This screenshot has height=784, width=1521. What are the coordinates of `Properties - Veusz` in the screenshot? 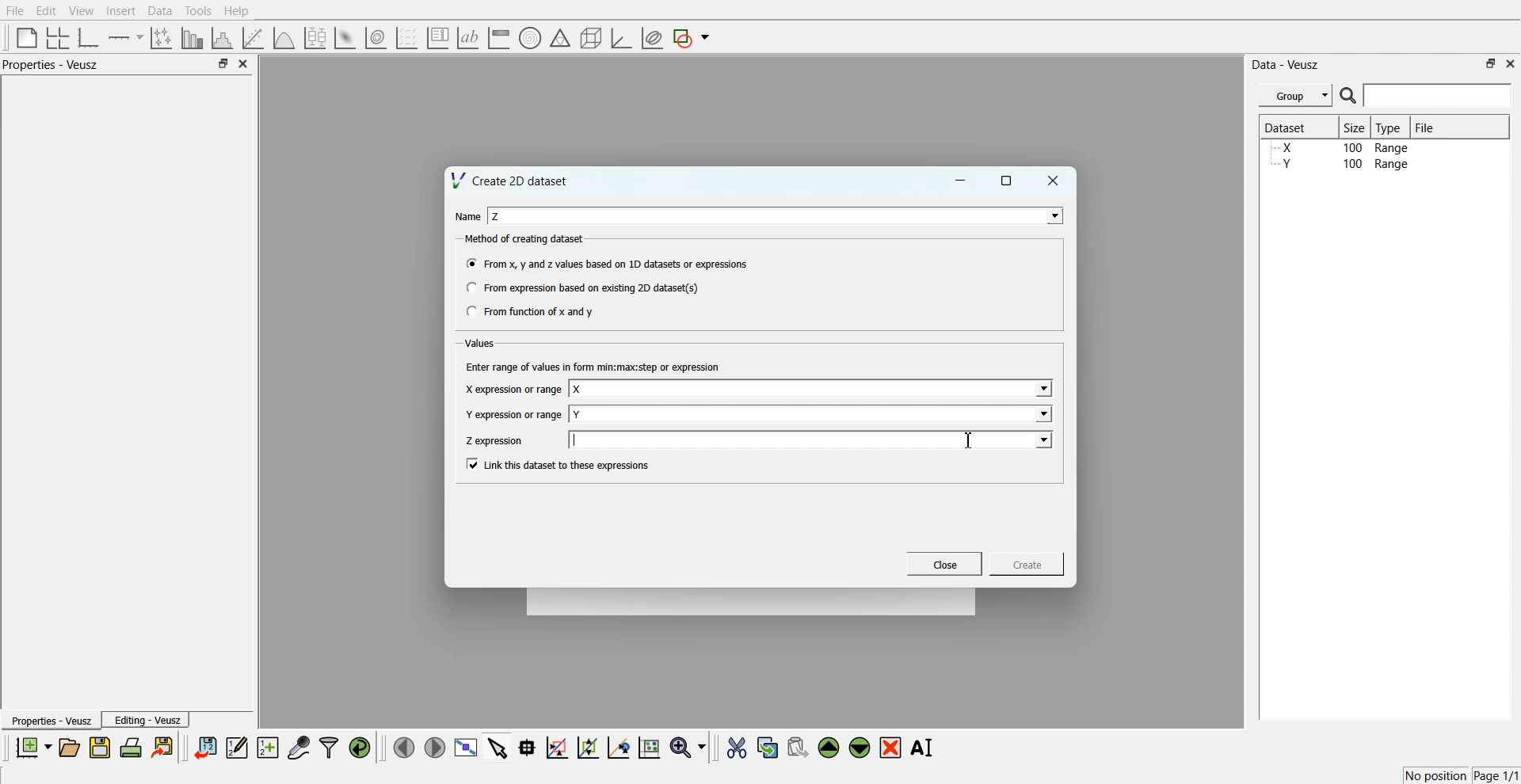 It's located at (50, 720).